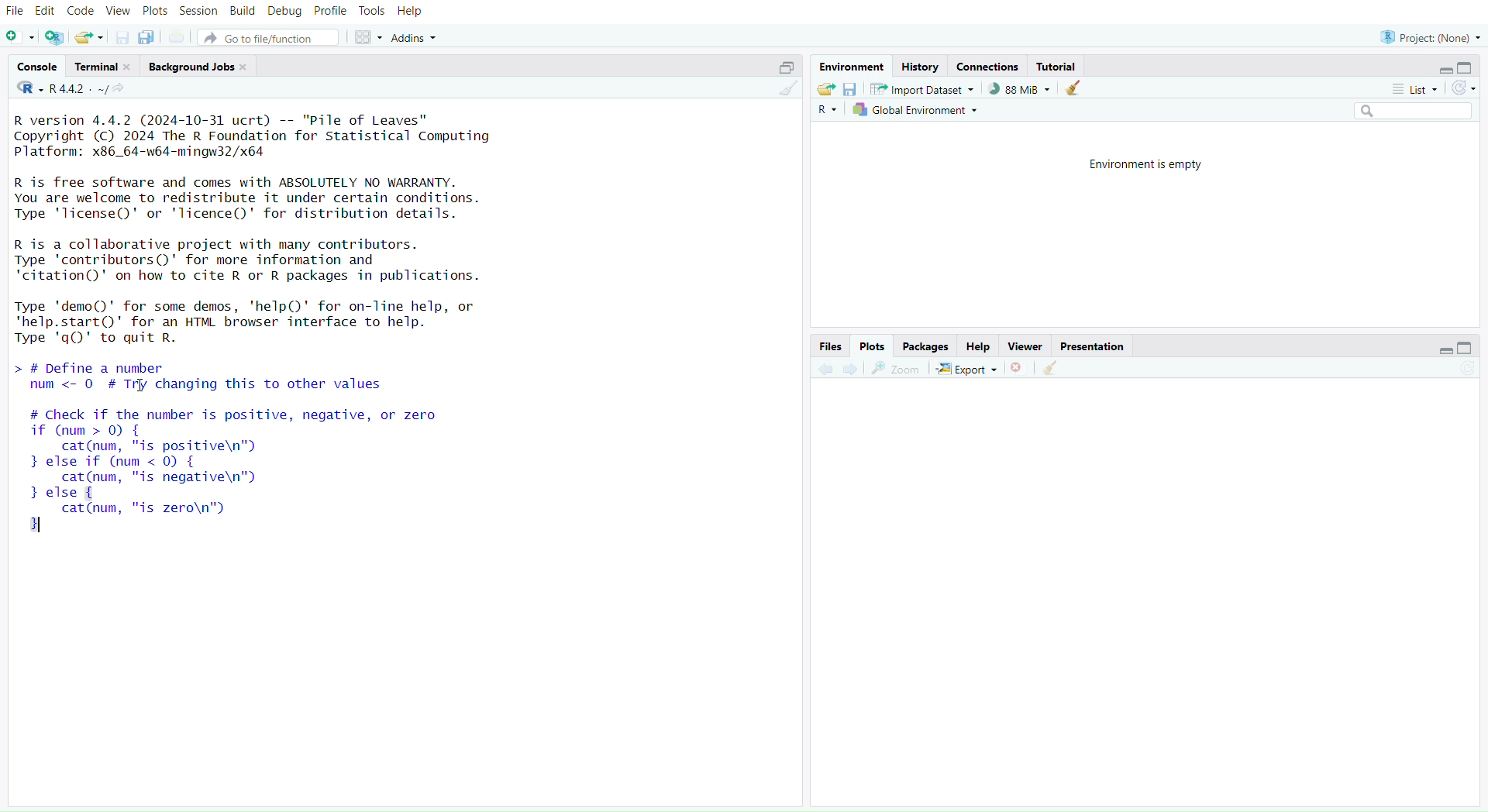  Describe the element at coordinates (201, 12) in the screenshot. I see `session` at that location.